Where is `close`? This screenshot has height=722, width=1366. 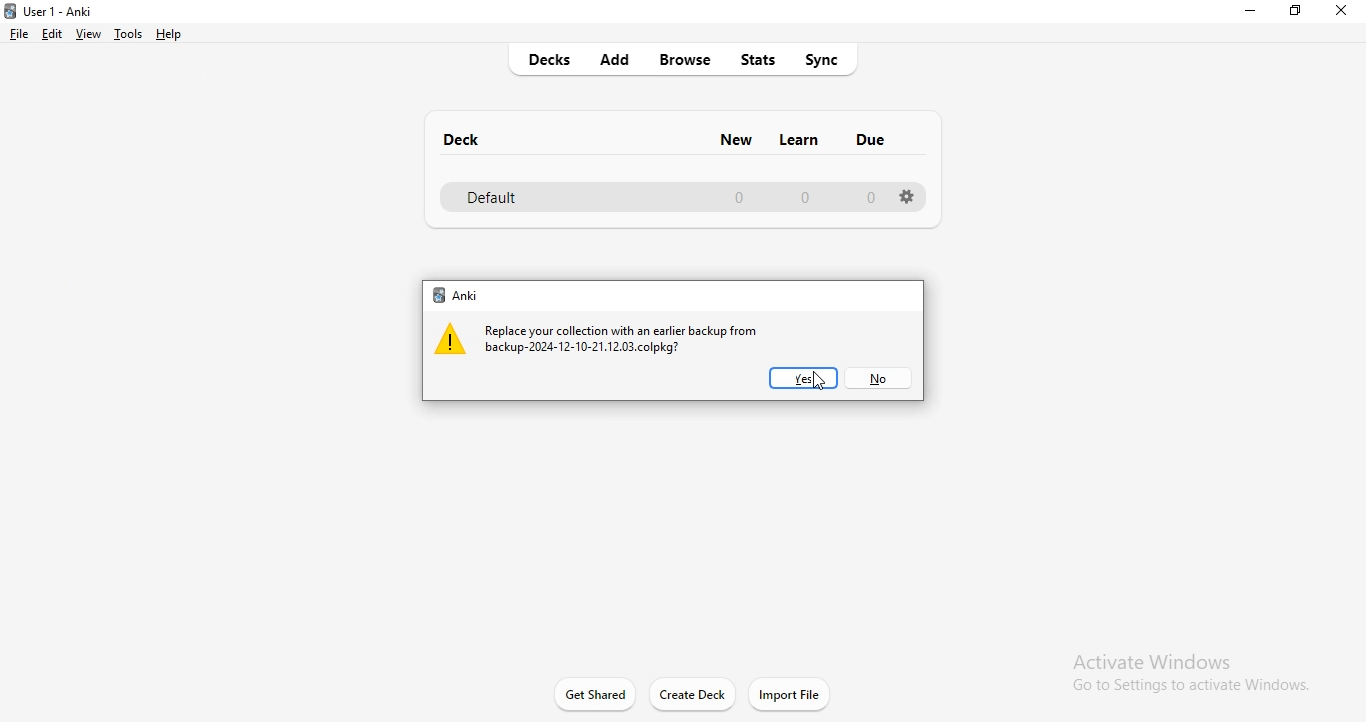
close is located at coordinates (1345, 12).